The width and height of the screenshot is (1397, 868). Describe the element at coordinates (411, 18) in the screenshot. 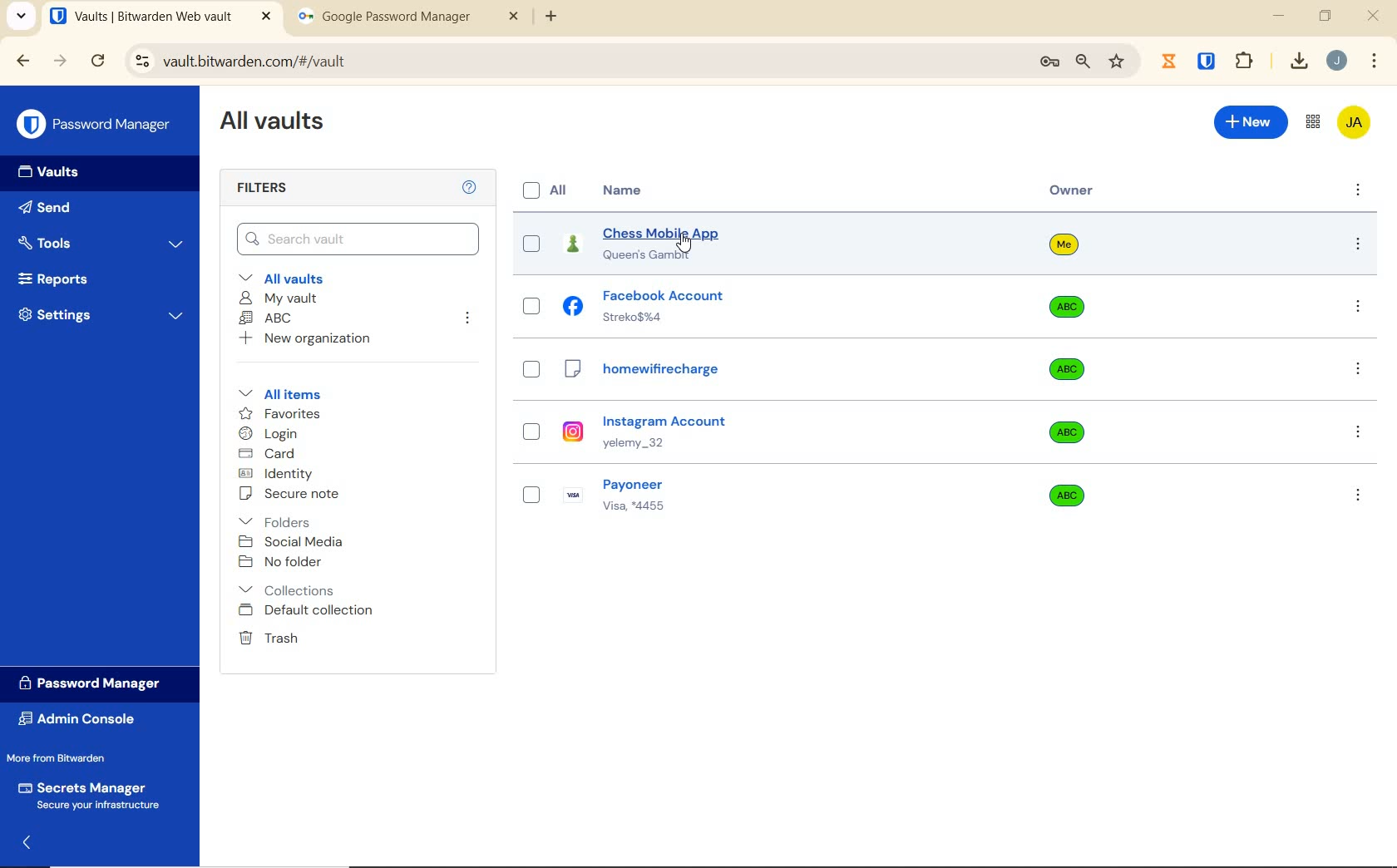

I see `tab` at that location.